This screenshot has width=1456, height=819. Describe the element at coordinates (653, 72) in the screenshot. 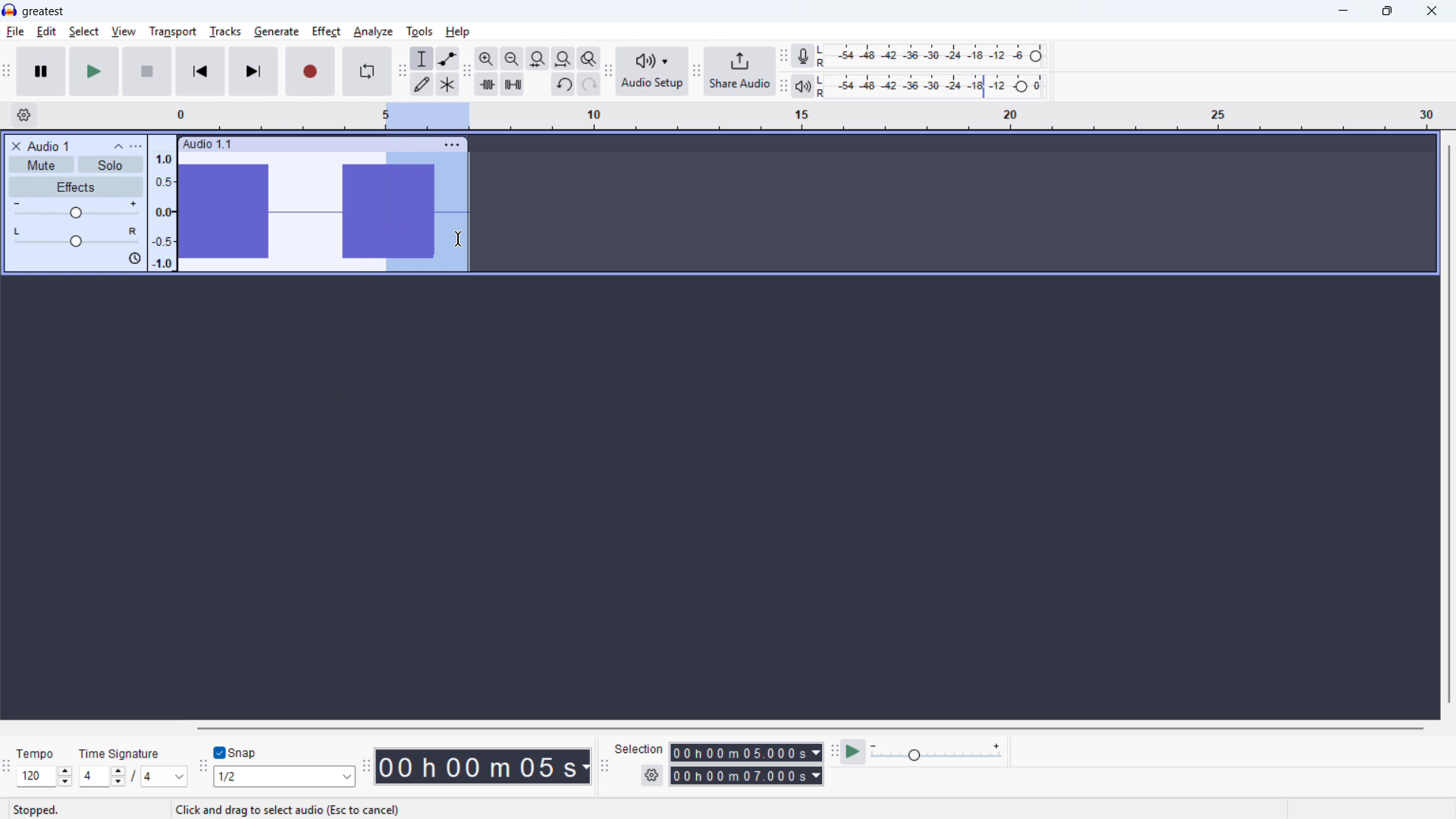

I see `Audio setup ` at that location.